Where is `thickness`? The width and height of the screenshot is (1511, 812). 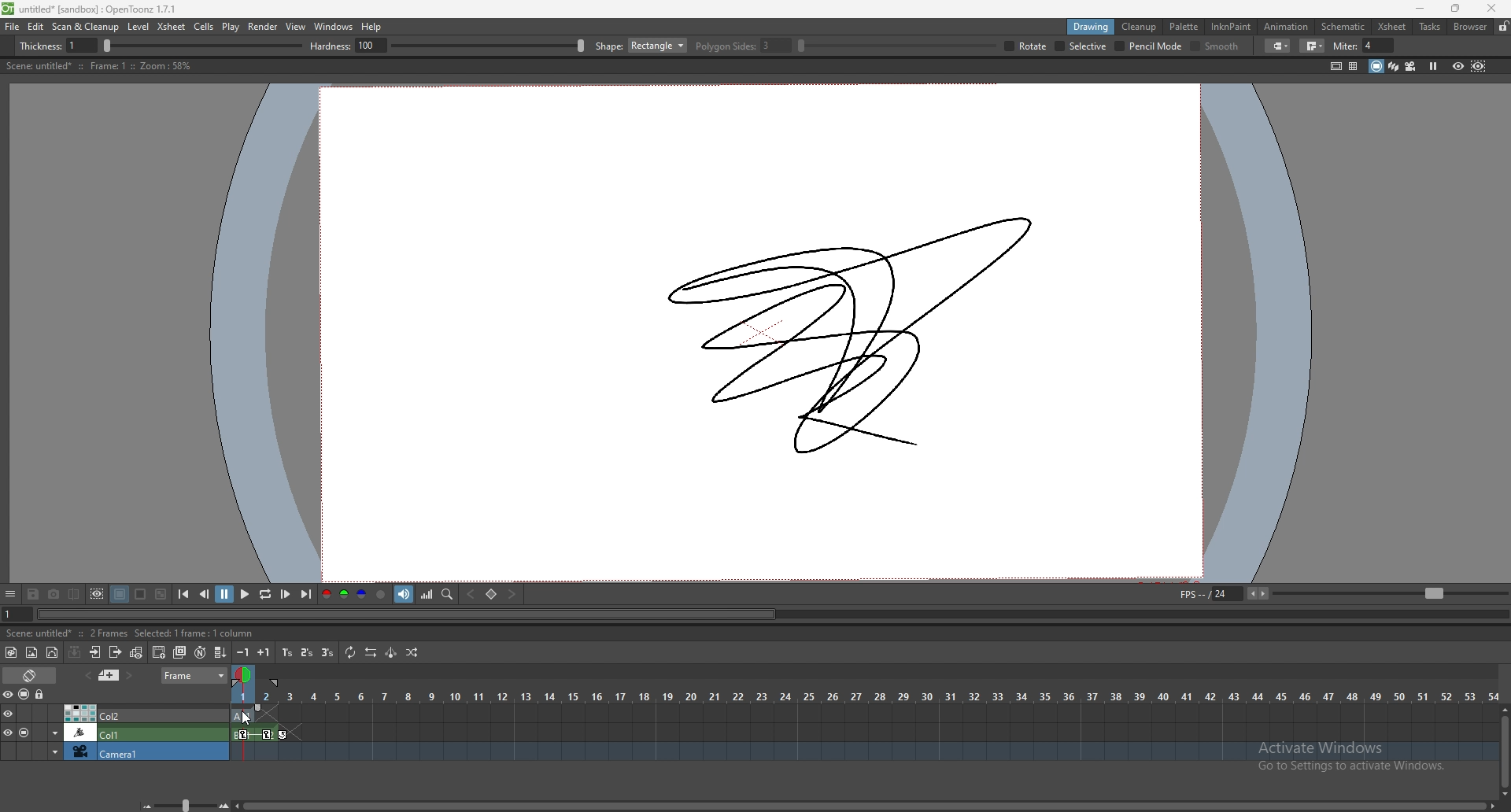 thickness is located at coordinates (163, 46).